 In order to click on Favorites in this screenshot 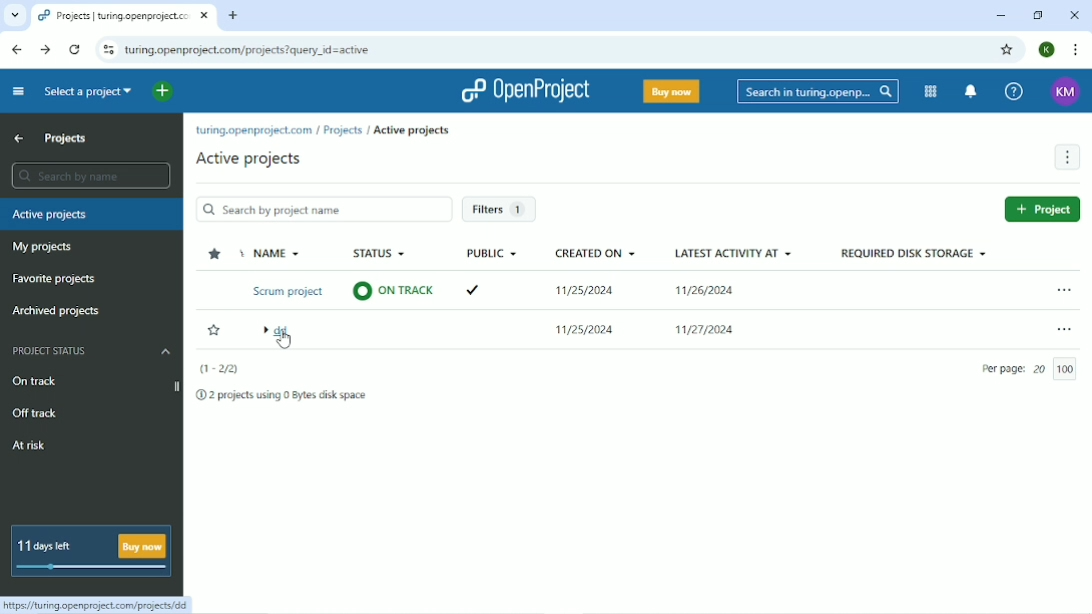, I will do `click(214, 331)`.